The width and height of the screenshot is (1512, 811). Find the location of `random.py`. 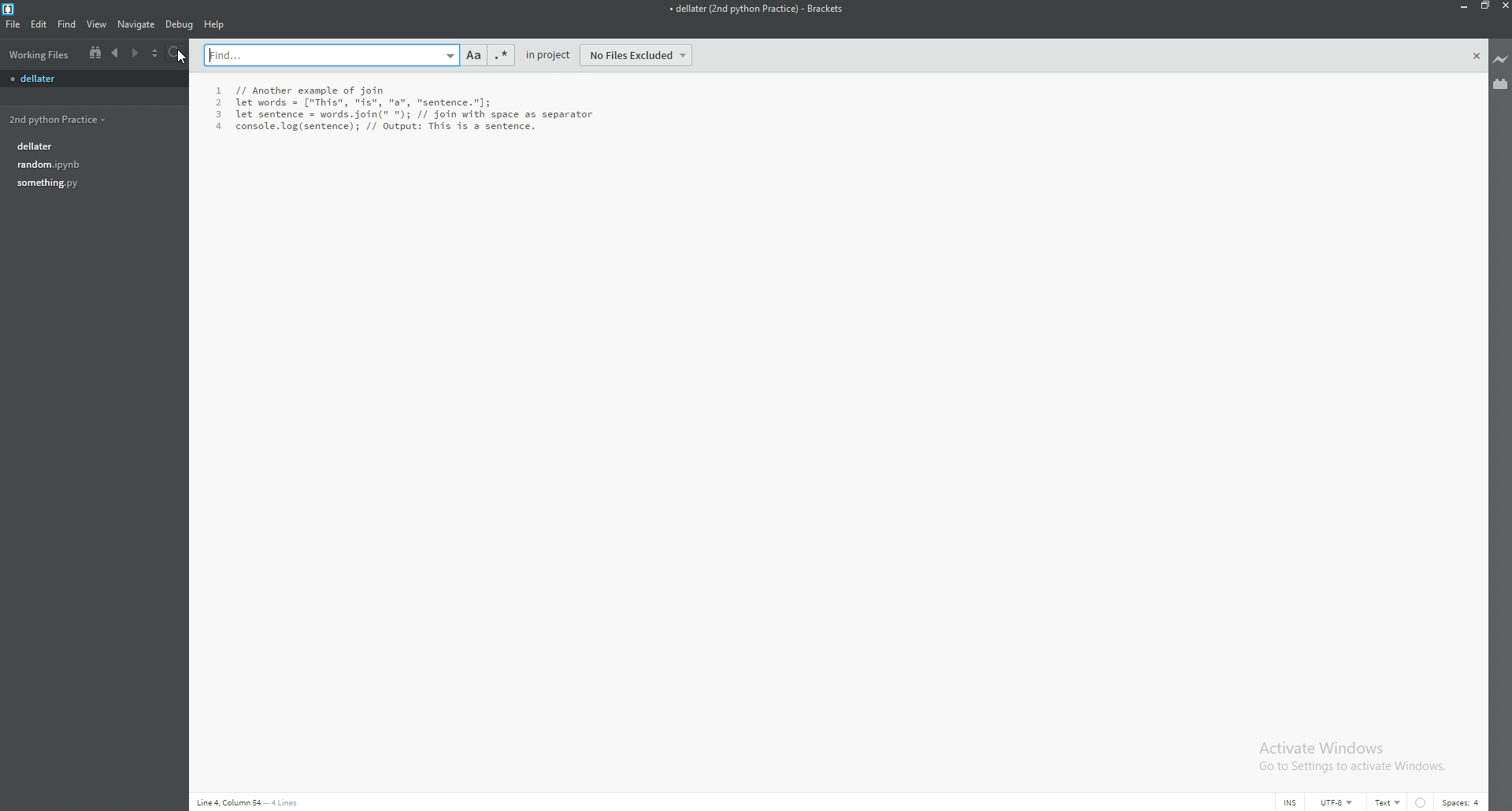

random.py is located at coordinates (90, 166).